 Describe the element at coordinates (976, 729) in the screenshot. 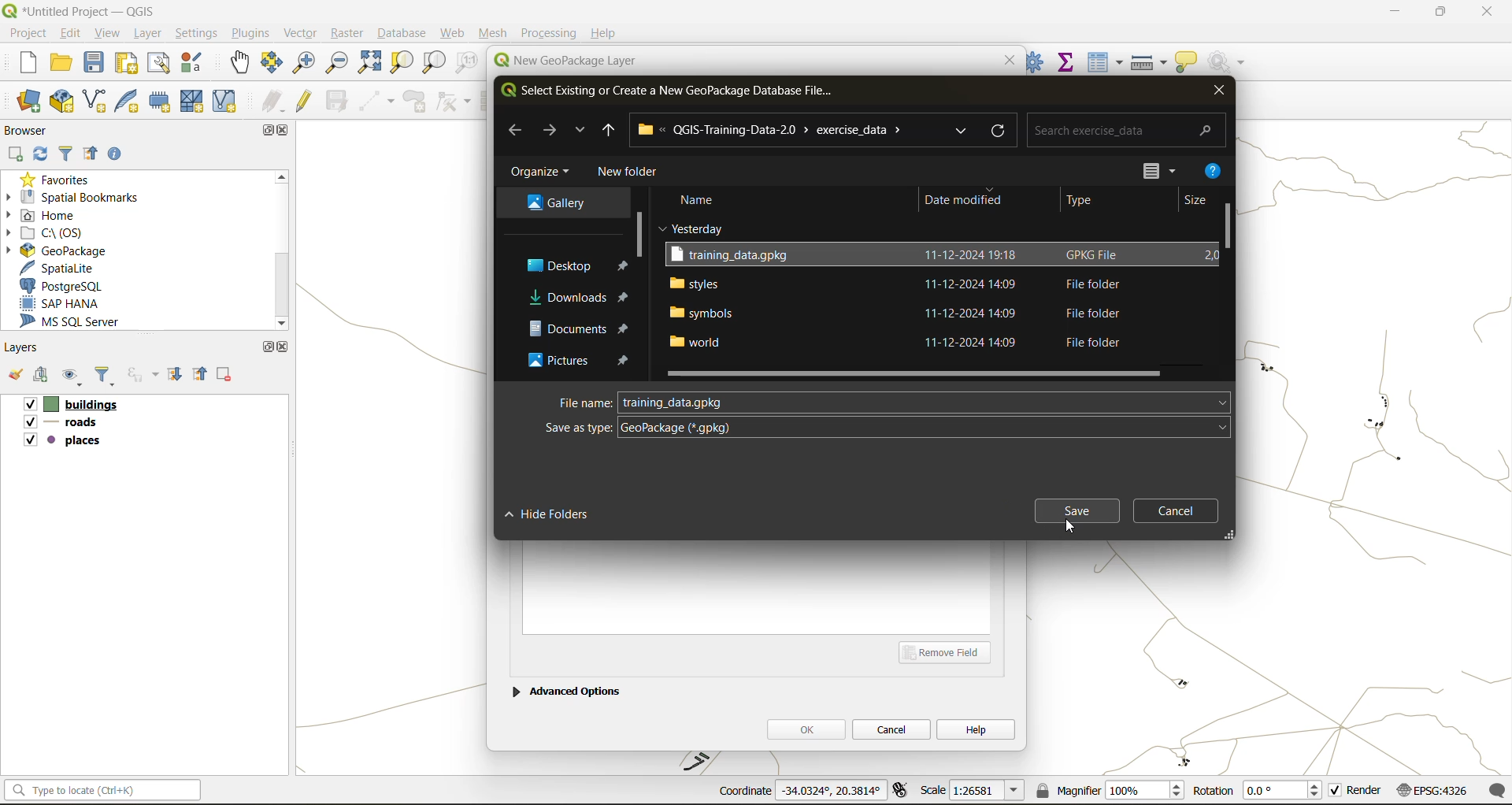

I see `help` at that location.